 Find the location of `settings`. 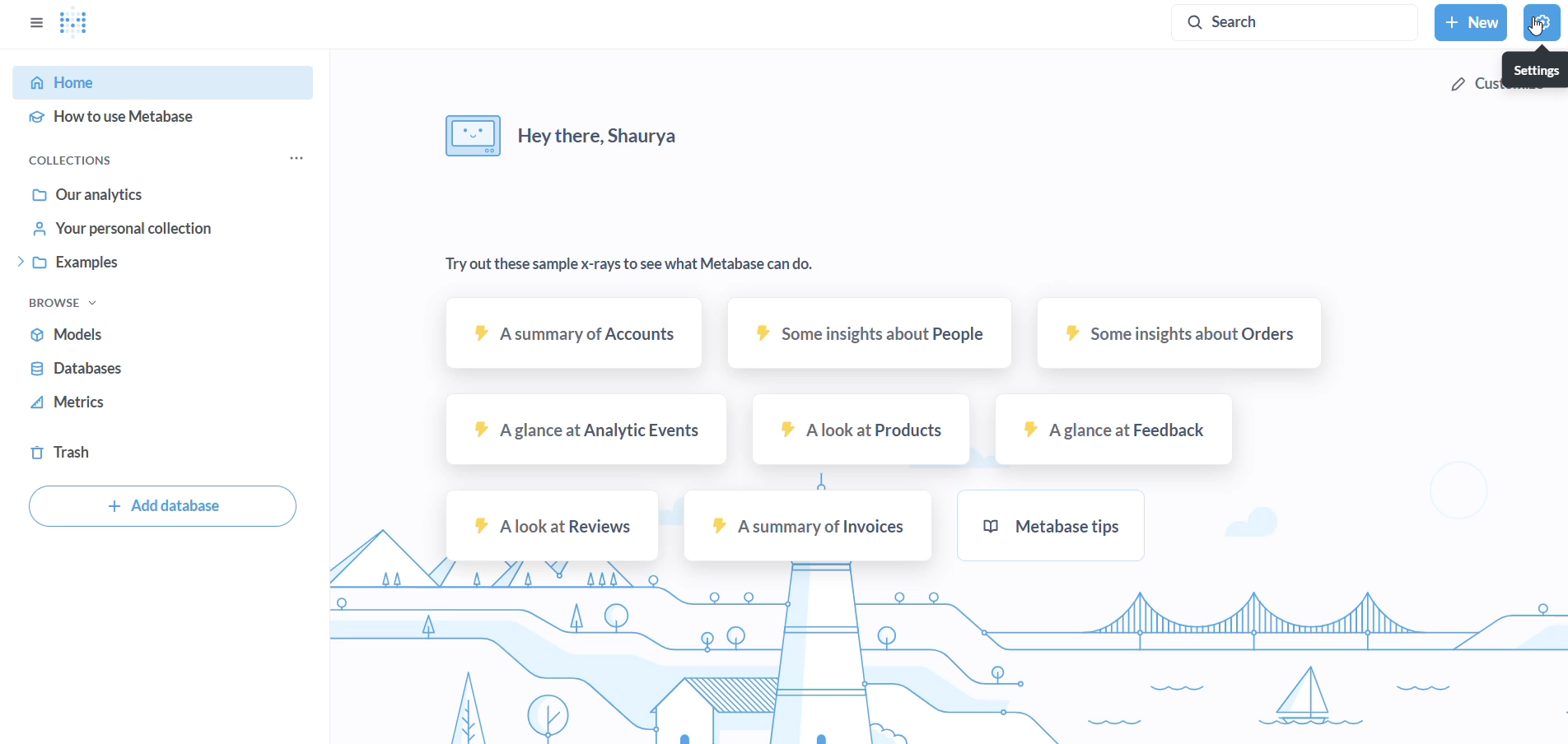

settings is located at coordinates (1544, 22).